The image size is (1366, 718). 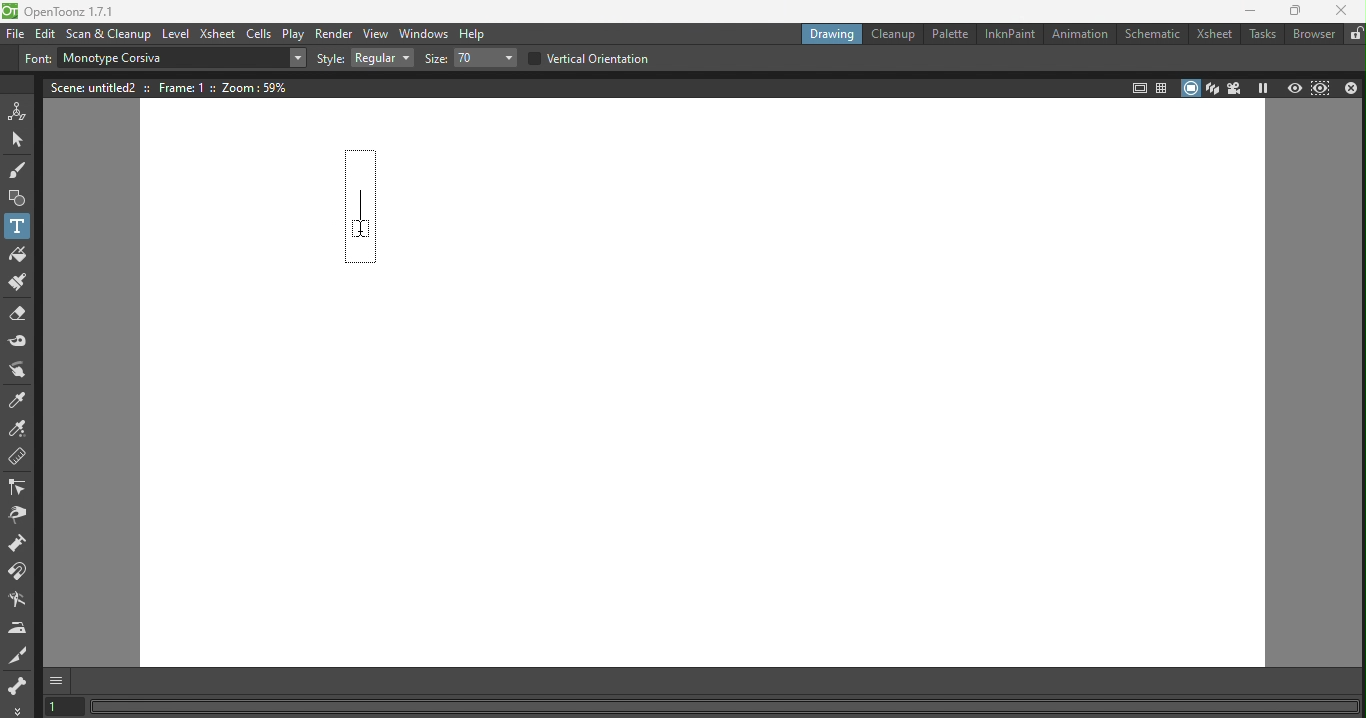 What do you see at coordinates (18, 255) in the screenshot?
I see `Fill tool` at bounding box center [18, 255].